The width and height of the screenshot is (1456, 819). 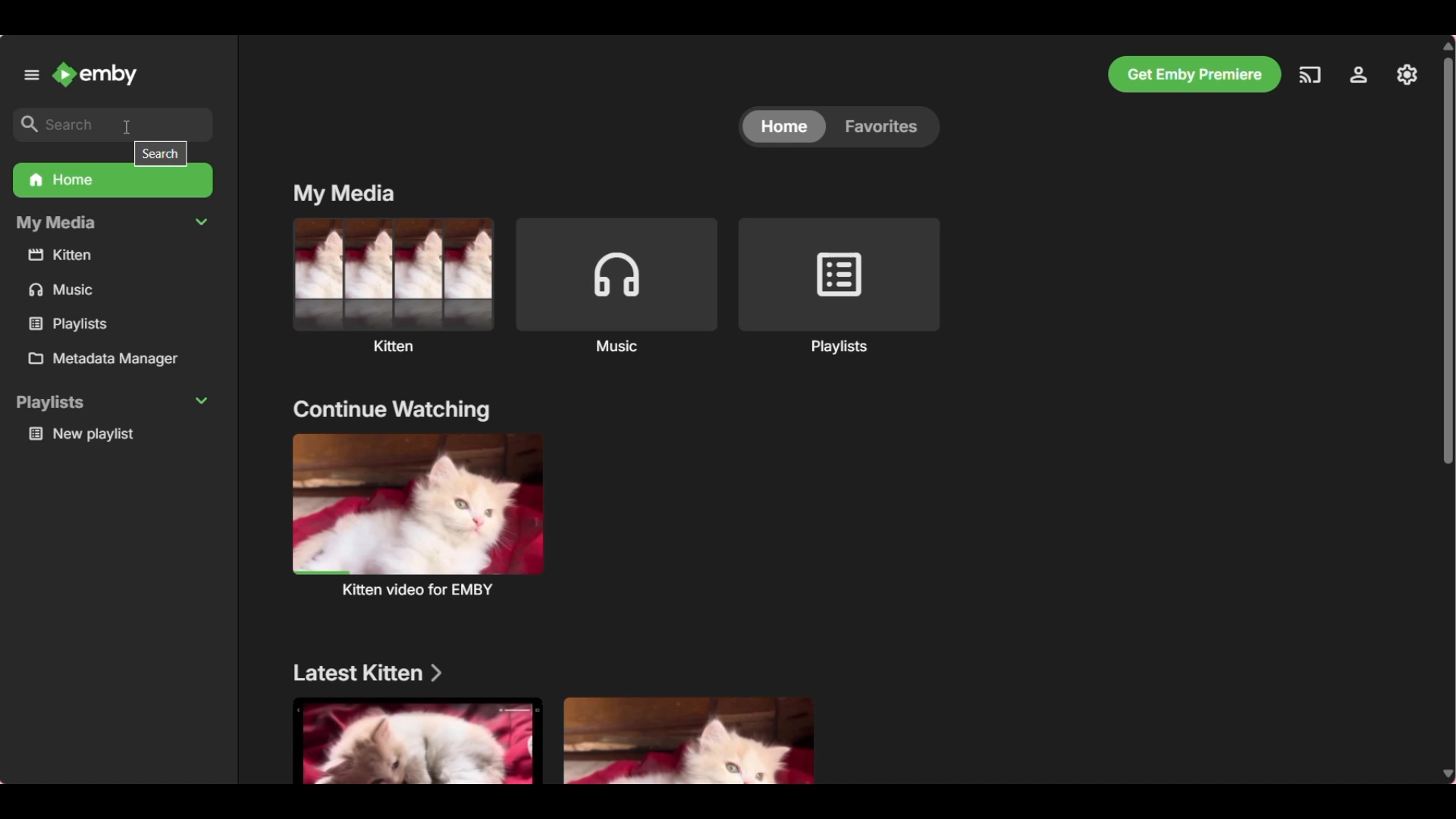 I want to click on Media under section mentioned above, so click(x=415, y=742).